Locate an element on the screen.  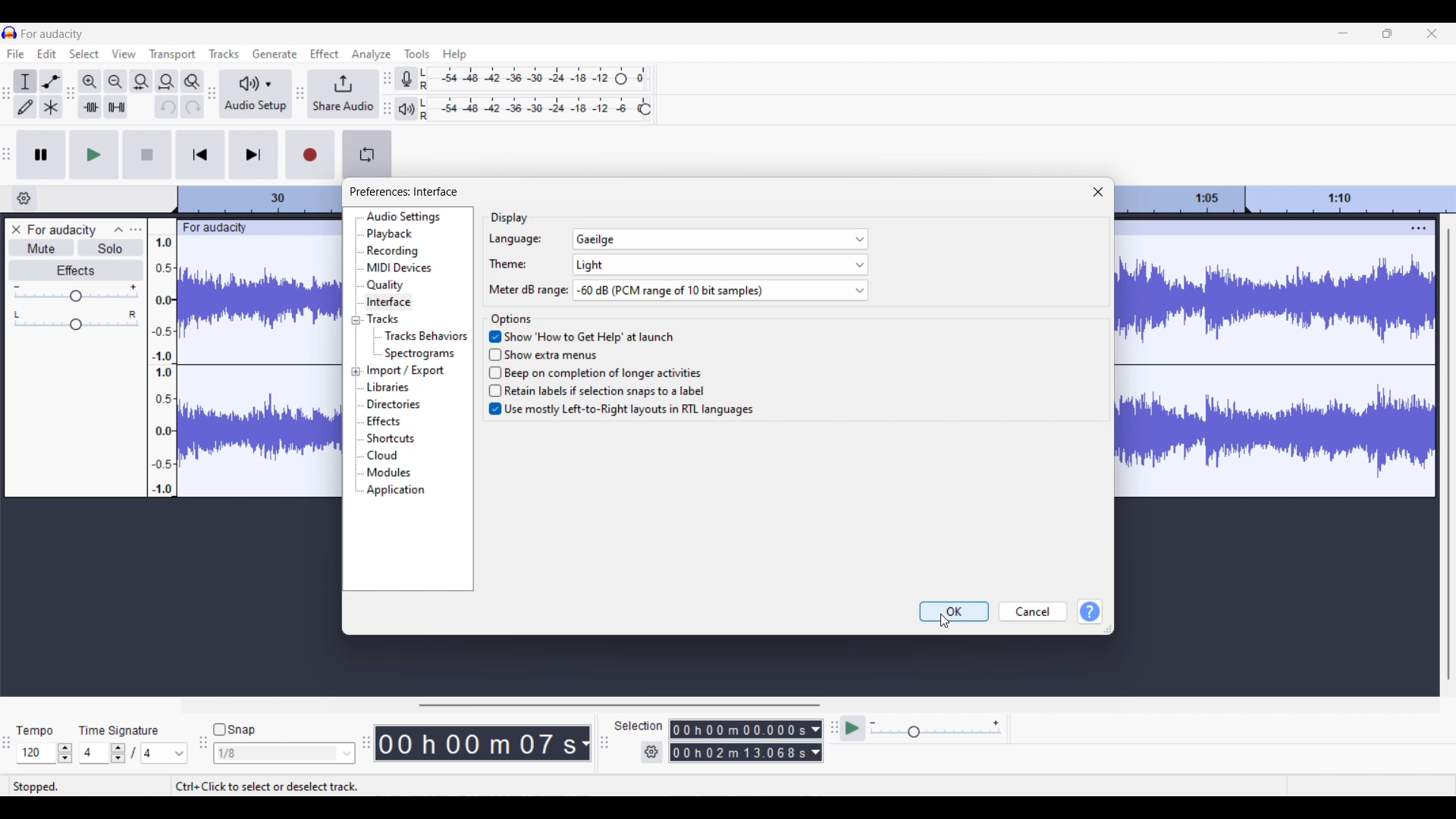
Meter dB range is located at coordinates (524, 290).